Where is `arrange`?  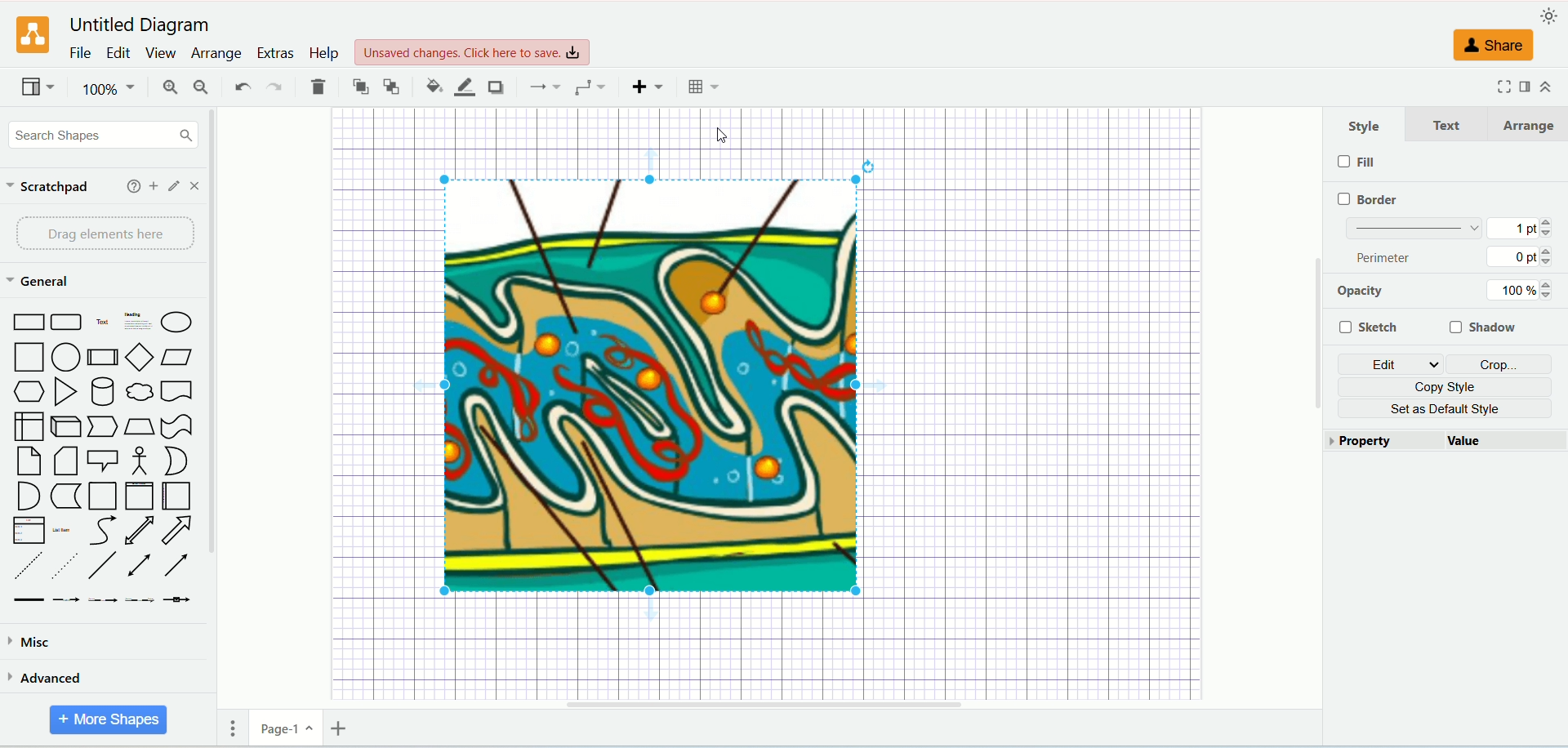
arrange is located at coordinates (1534, 122).